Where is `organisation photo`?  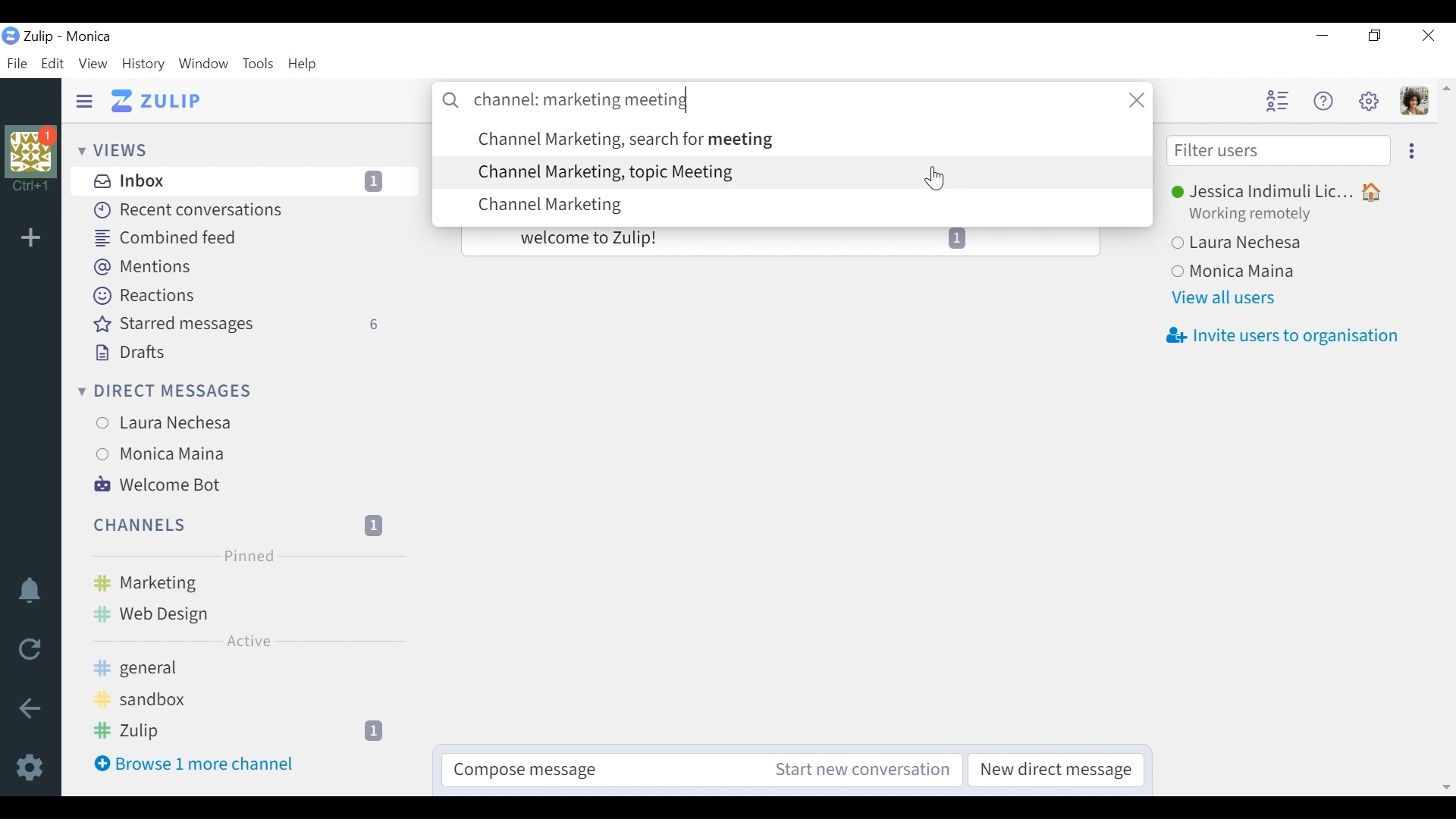
organisation photo is located at coordinates (31, 149).